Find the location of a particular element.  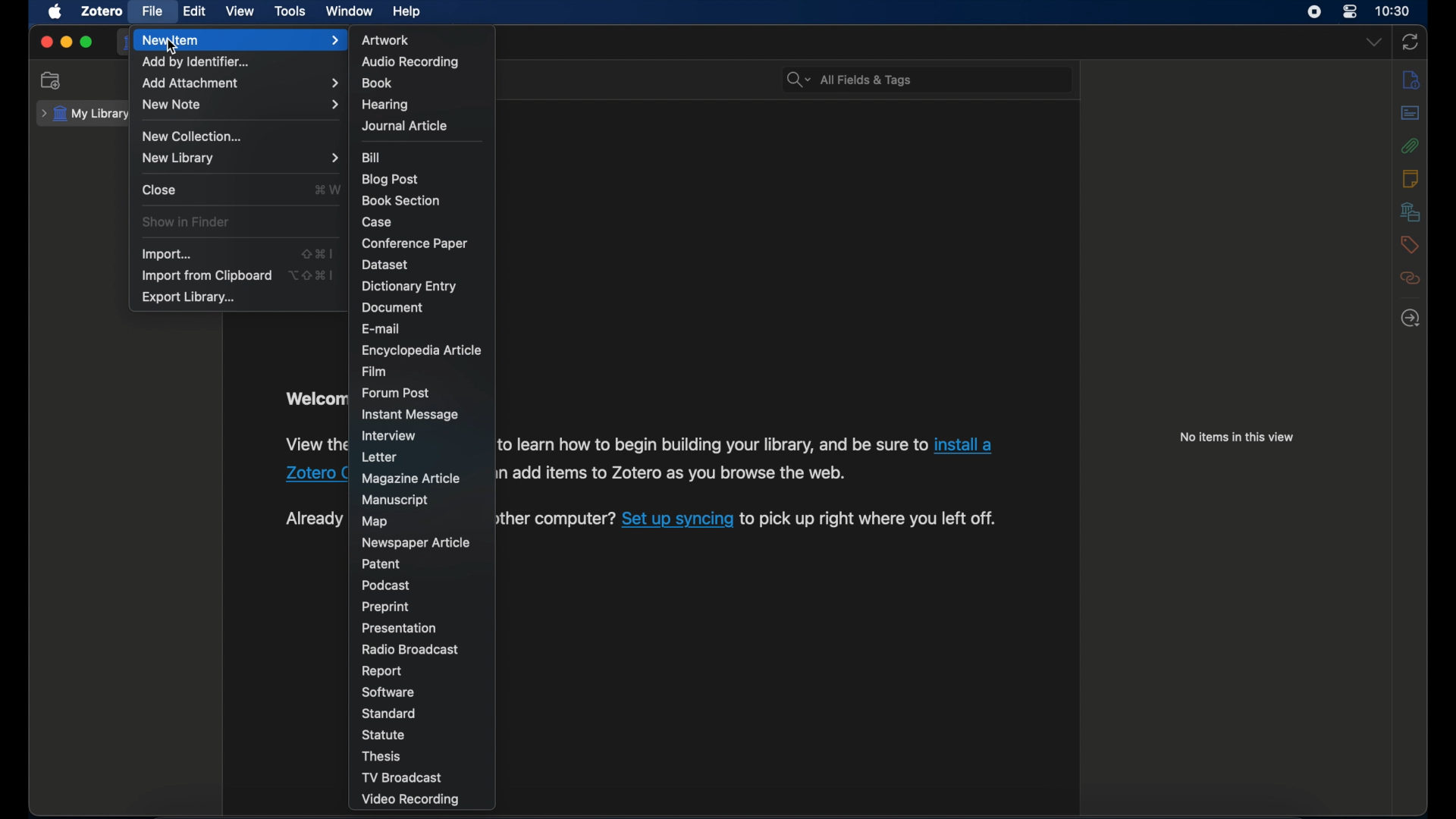

instant message is located at coordinates (409, 414).